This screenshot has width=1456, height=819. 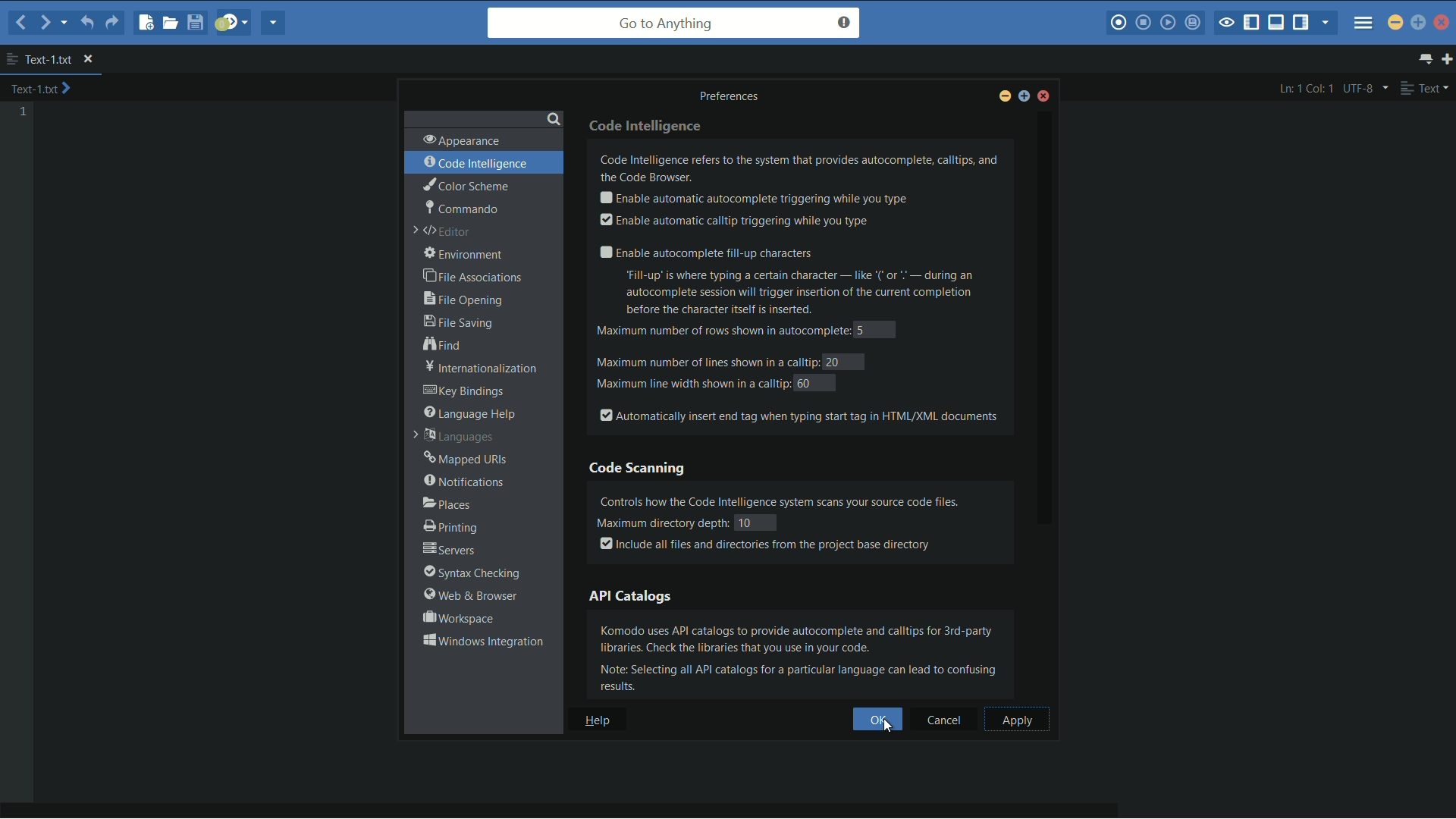 What do you see at coordinates (463, 482) in the screenshot?
I see `notifications` at bounding box center [463, 482].